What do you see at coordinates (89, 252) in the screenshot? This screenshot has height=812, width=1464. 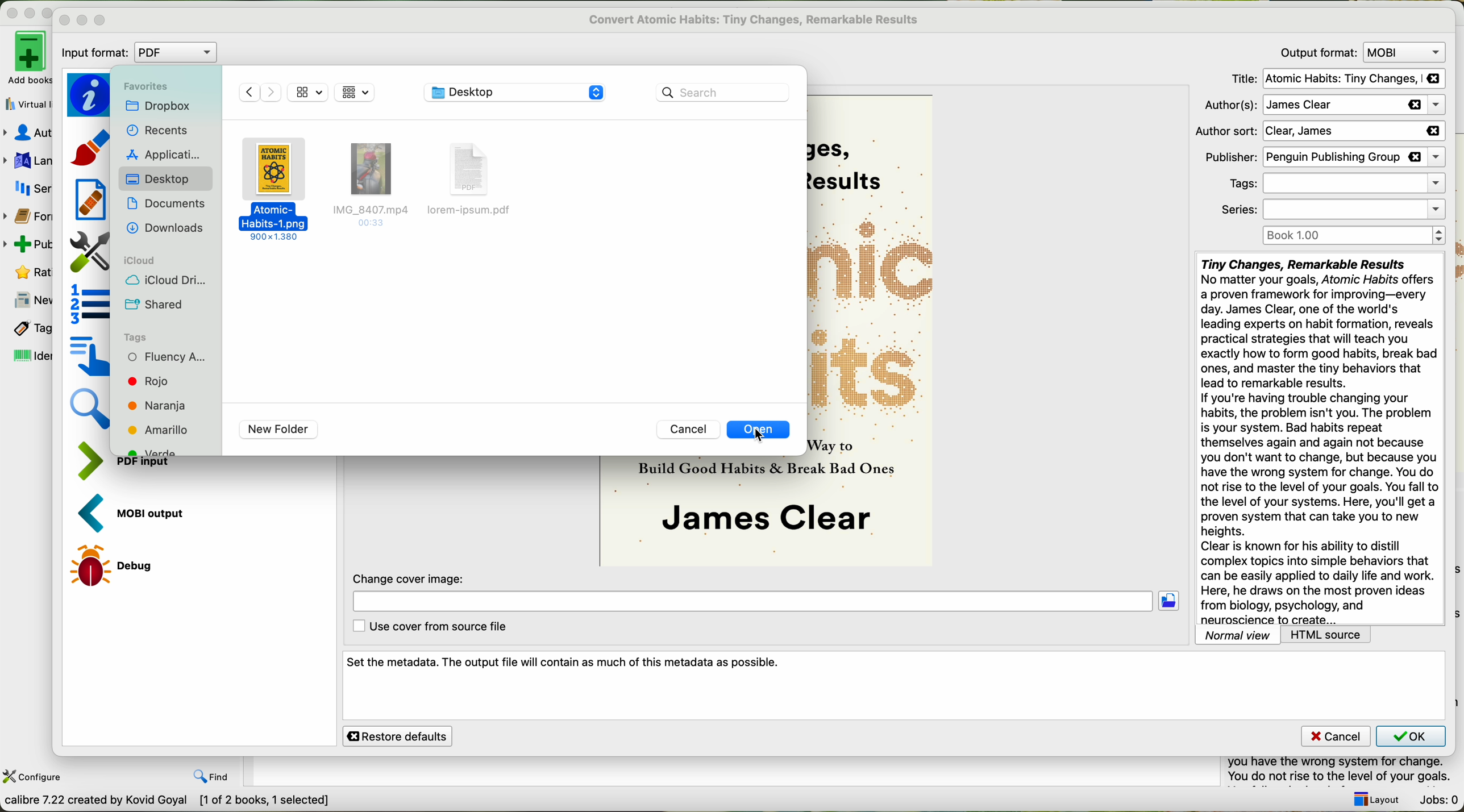 I see `page setup` at bounding box center [89, 252].